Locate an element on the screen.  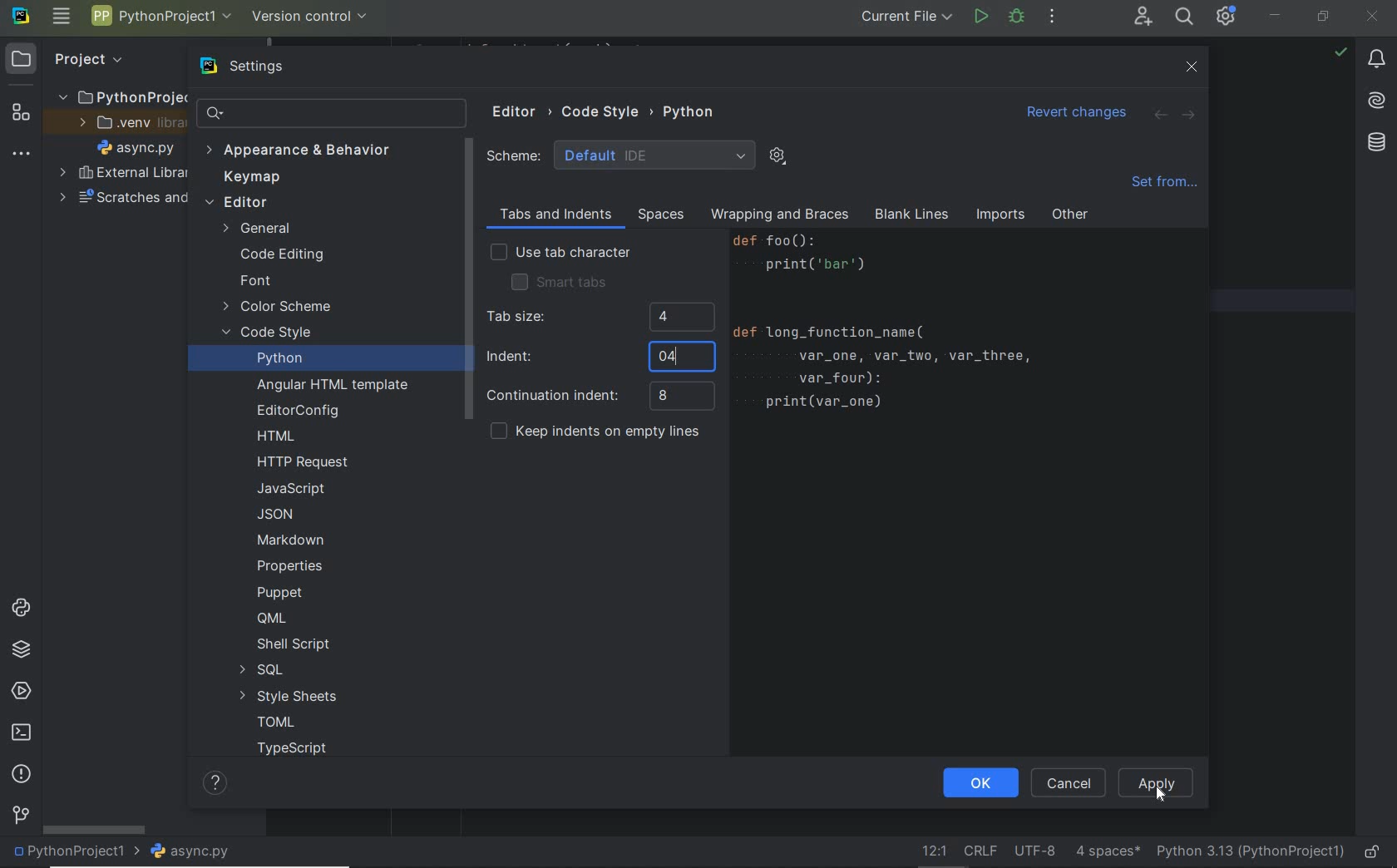
Search Everywhere is located at coordinates (1183, 19).